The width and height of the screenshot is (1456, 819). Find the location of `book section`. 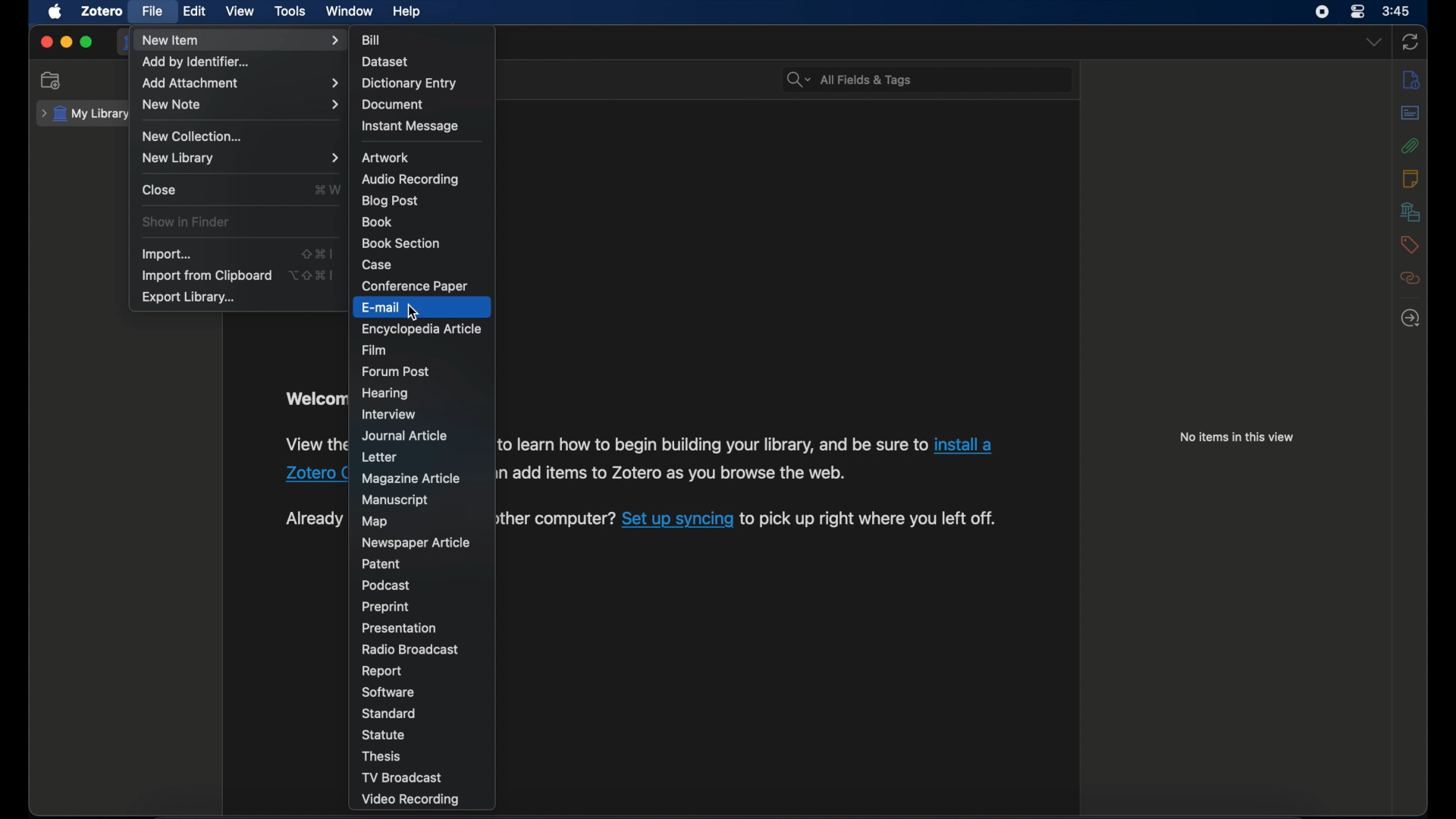

book section is located at coordinates (401, 243).